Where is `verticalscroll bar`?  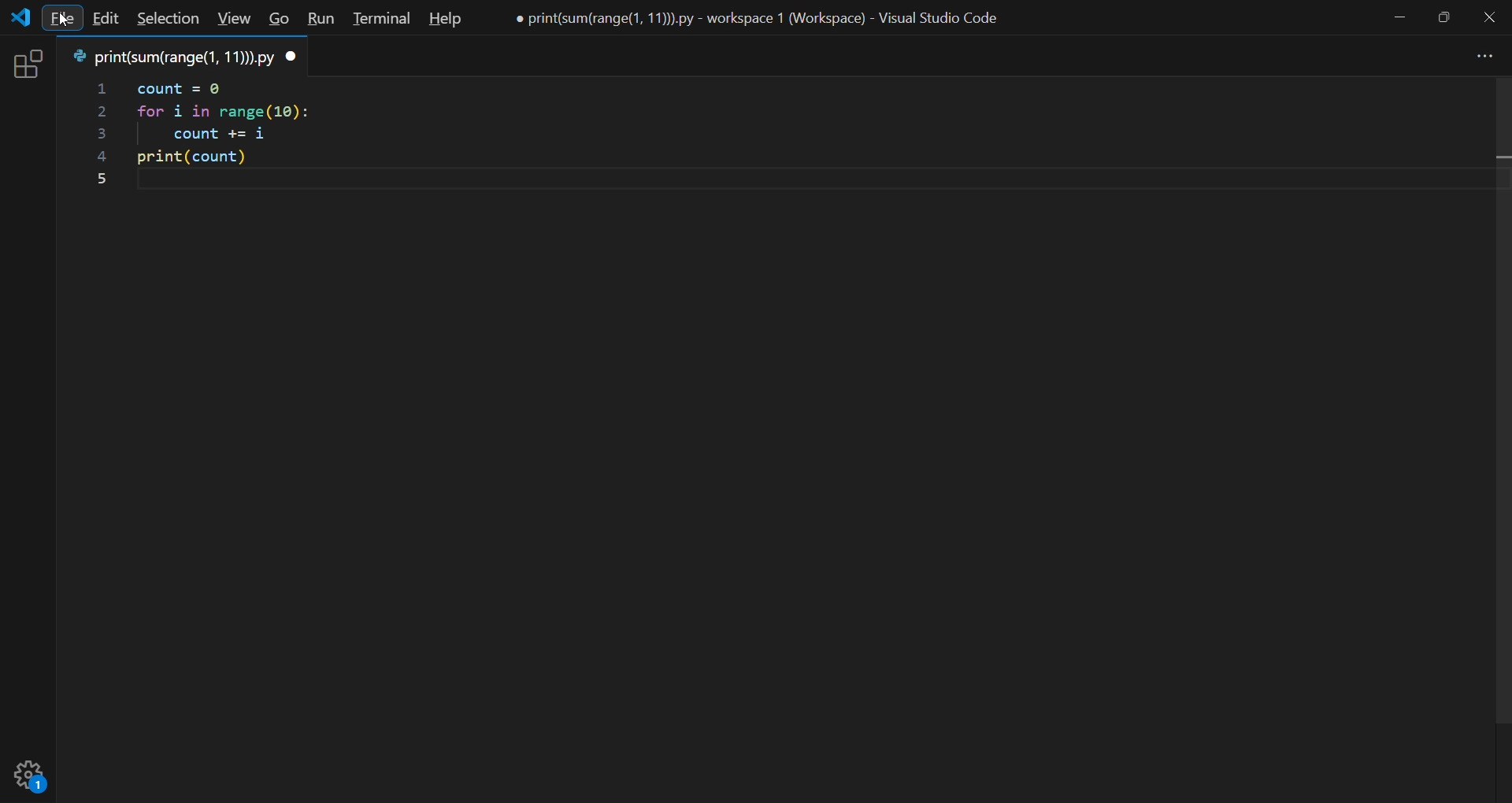 verticalscroll bar is located at coordinates (1497, 413).